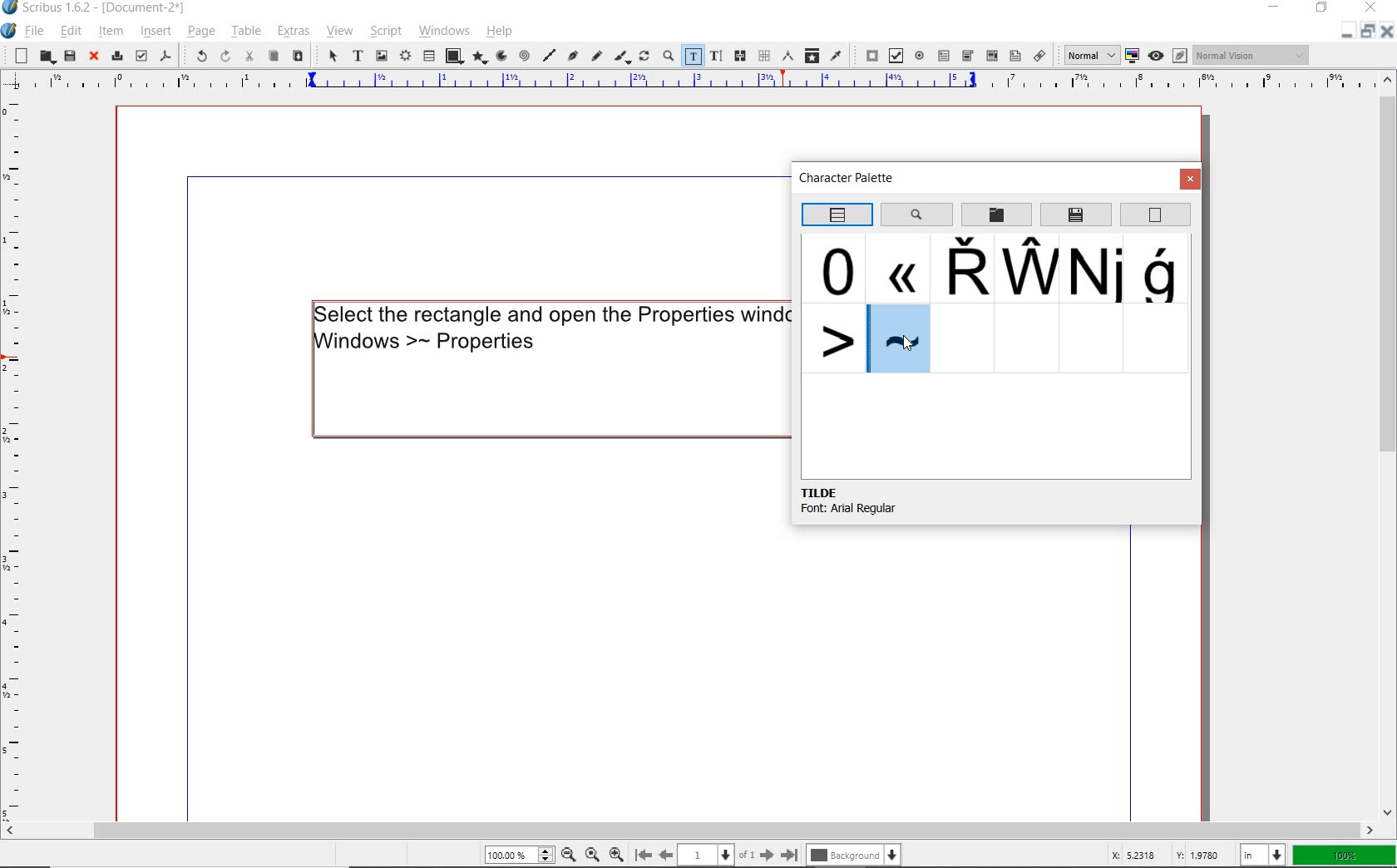 The image size is (1397, 868). What do you see at coordinates (832, 337) in the screenshot?
I see `glyphs` at bounding box center [832, 337].